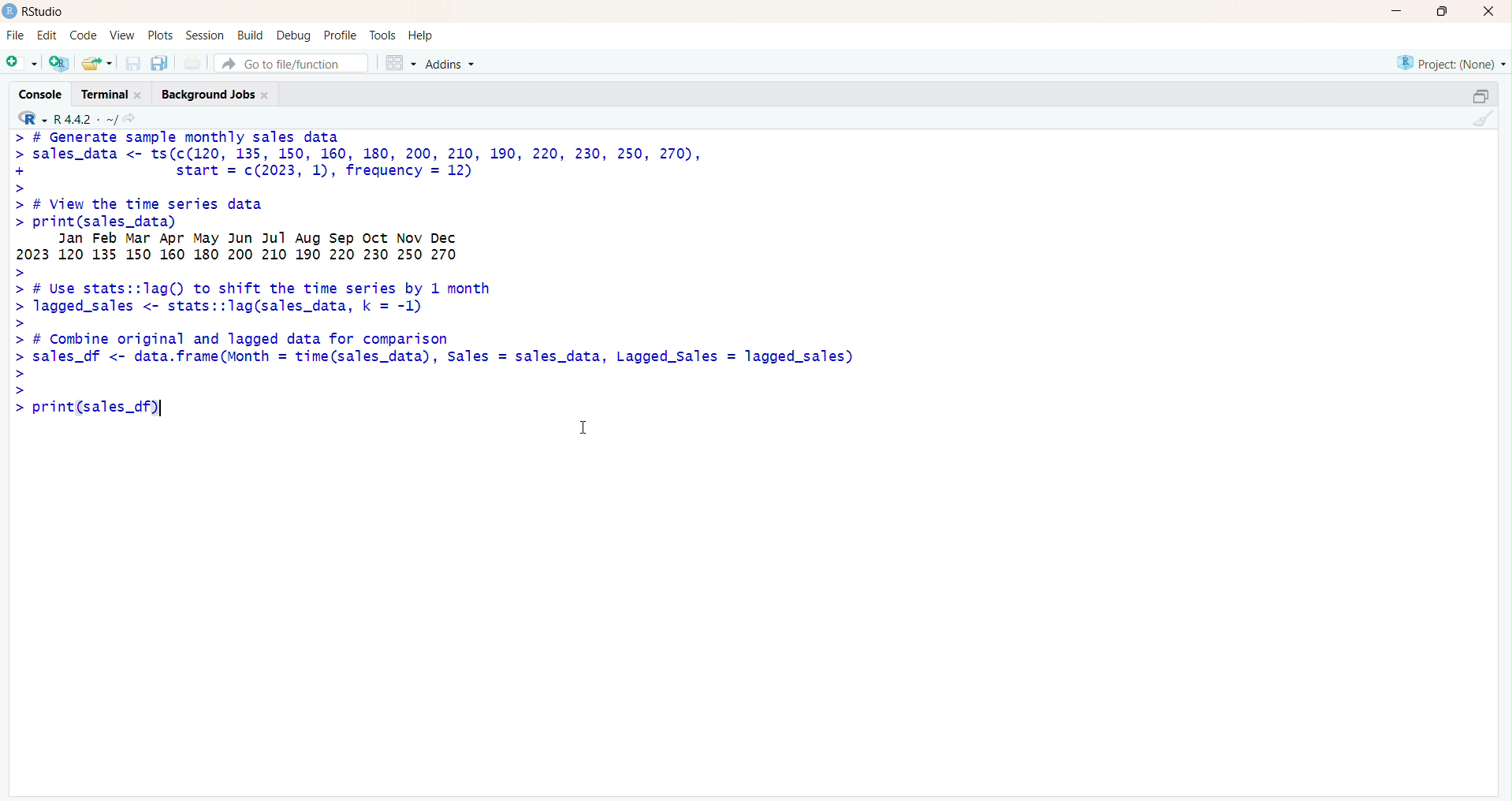 Image resolution: width=1512 pixels, height=801 pixels. Describe the element at coordinates (1441, 11) in the screenshot. I see `maximize` at that location.